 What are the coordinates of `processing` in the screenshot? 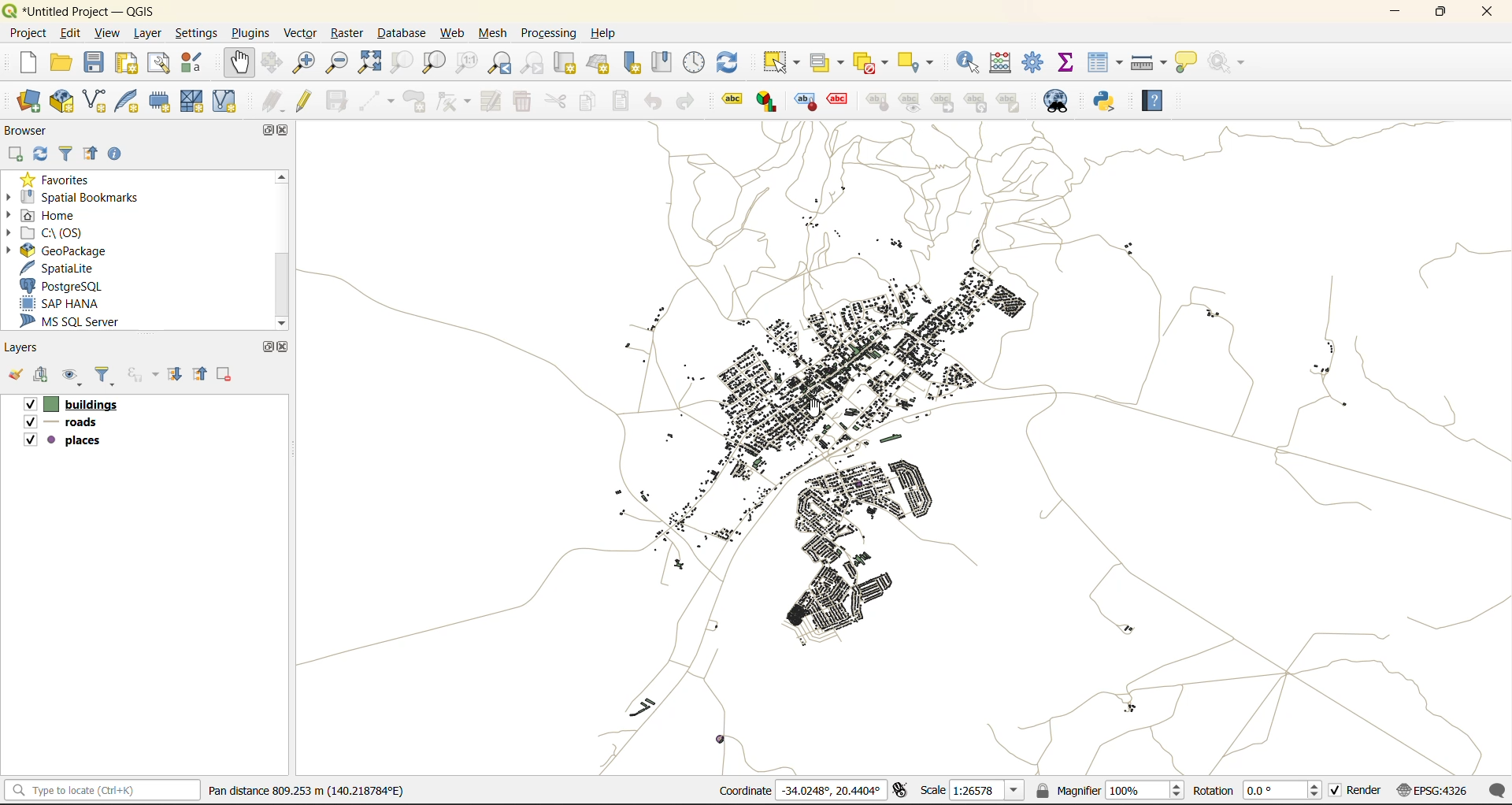 It's located at (547, 33).